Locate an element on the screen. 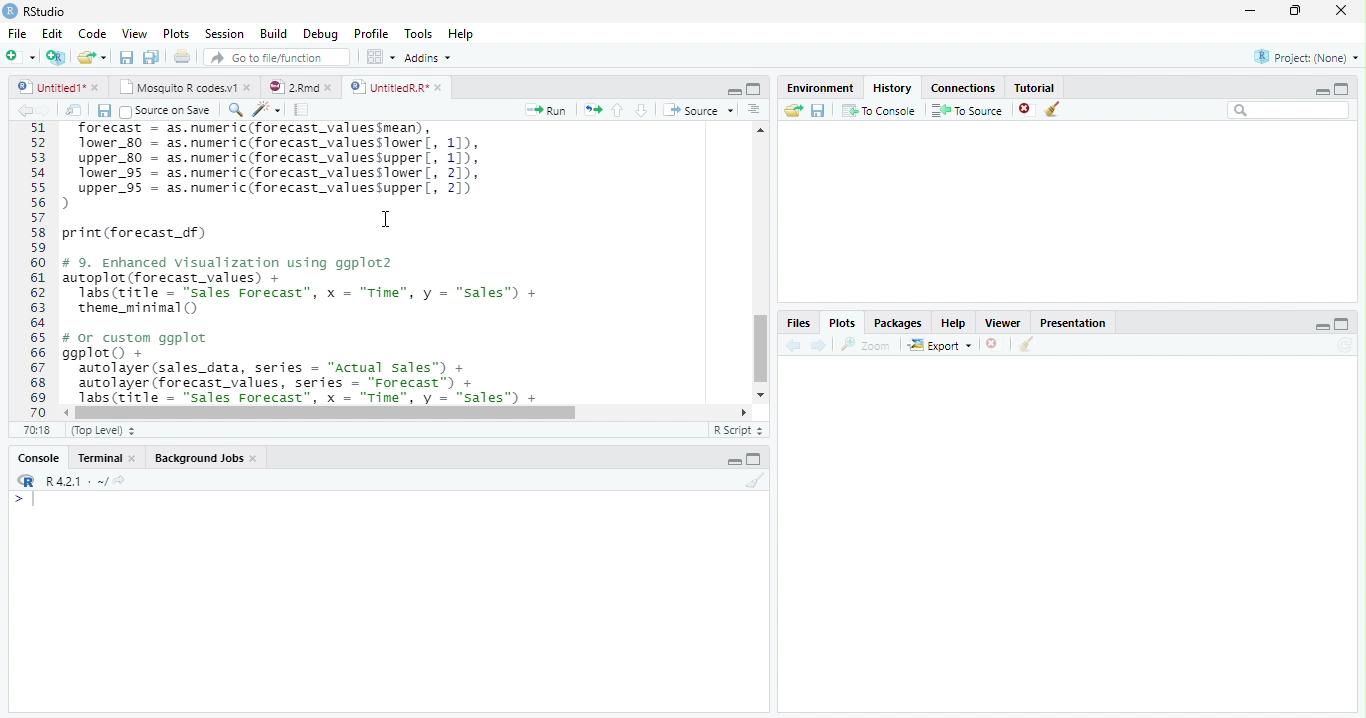 The width and height of the screenshot is (1366, 718). Search is located at coordinates (1289, 111).